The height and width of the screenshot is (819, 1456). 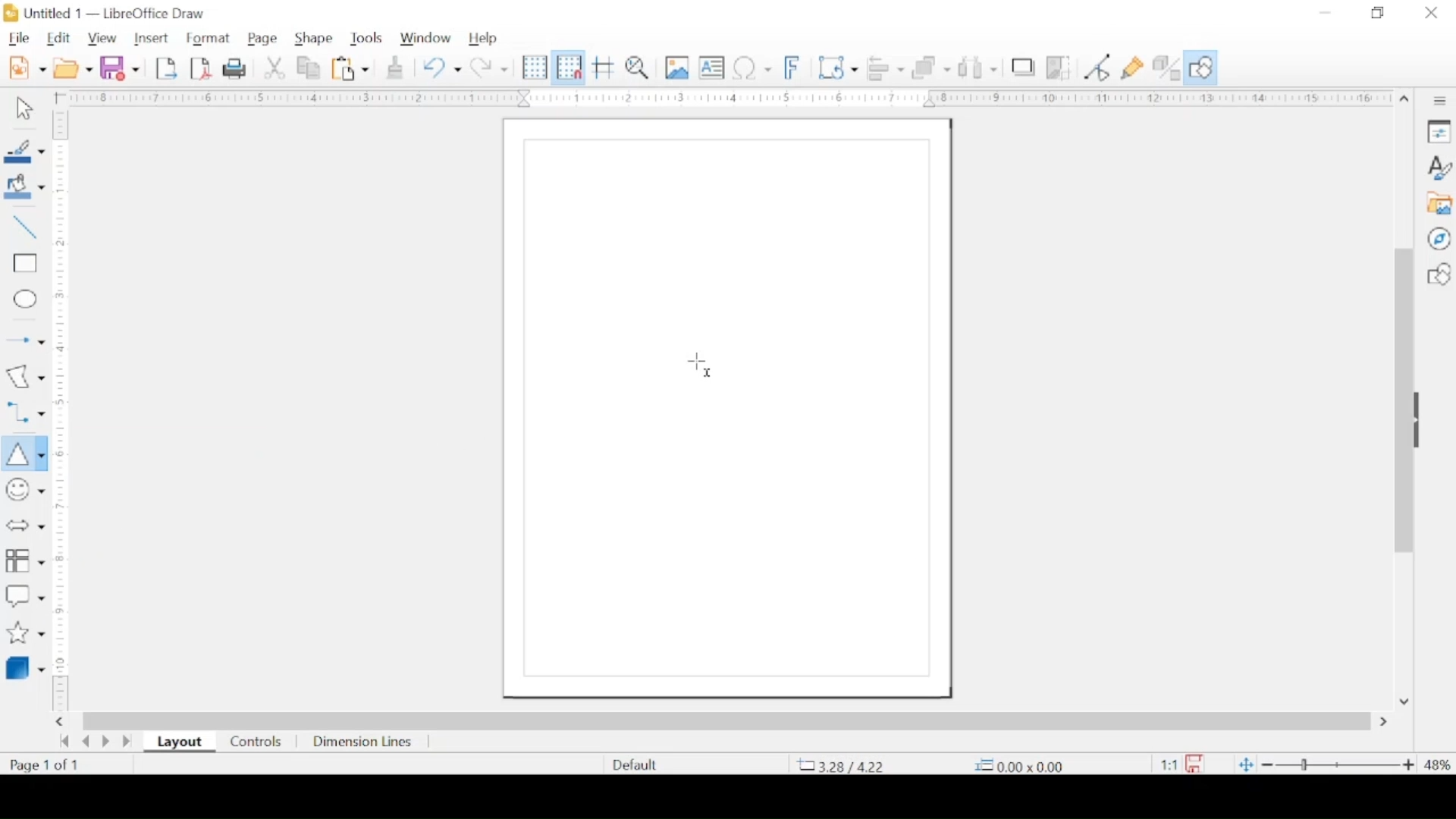 I want to click on controls, so click(x=255, y=742).